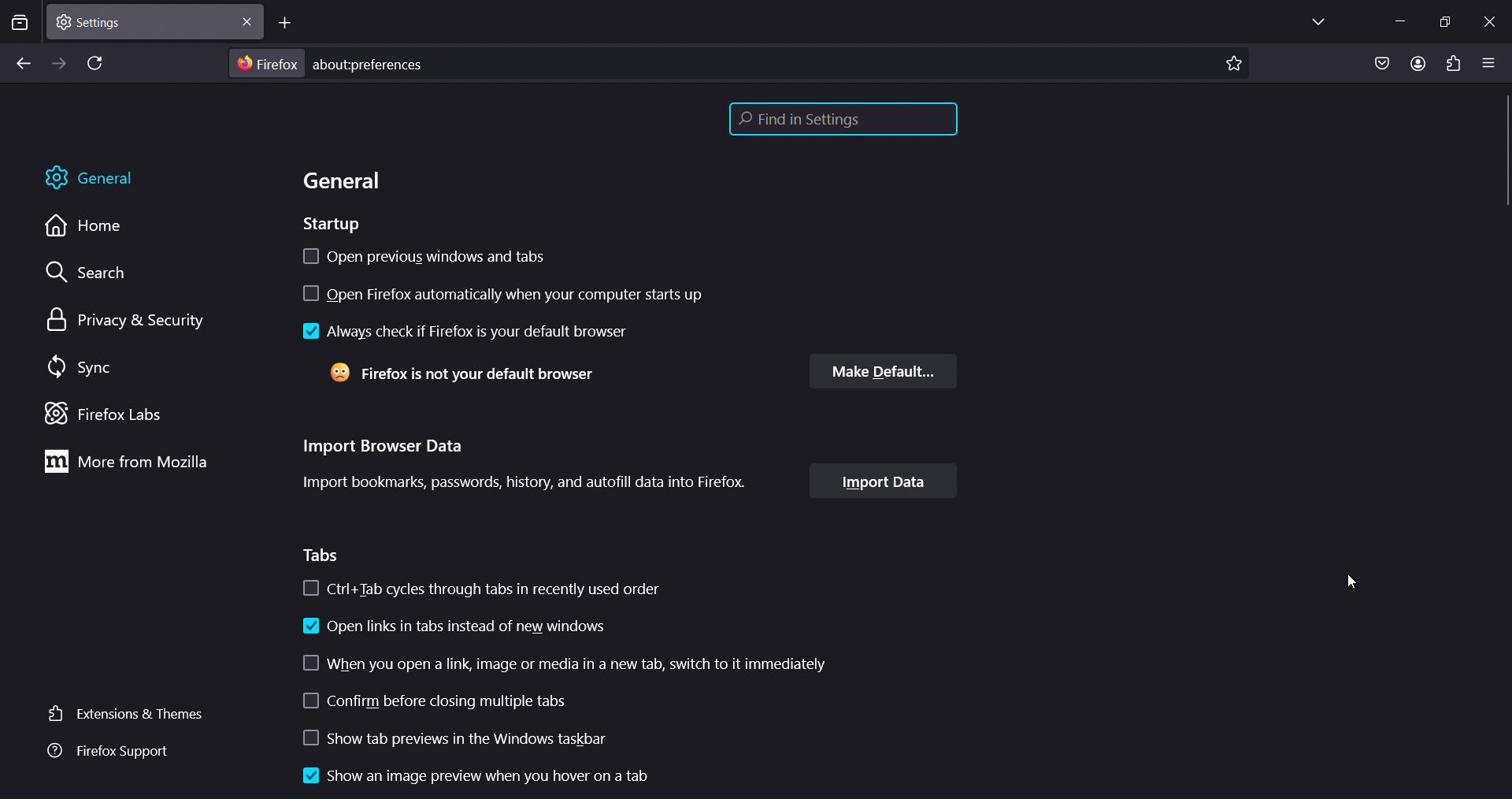 The height and width of the screenshot is (799, 1512). Describe the element at coordinates (20, 24) in the screenshot. I see `search tabs` at that location.